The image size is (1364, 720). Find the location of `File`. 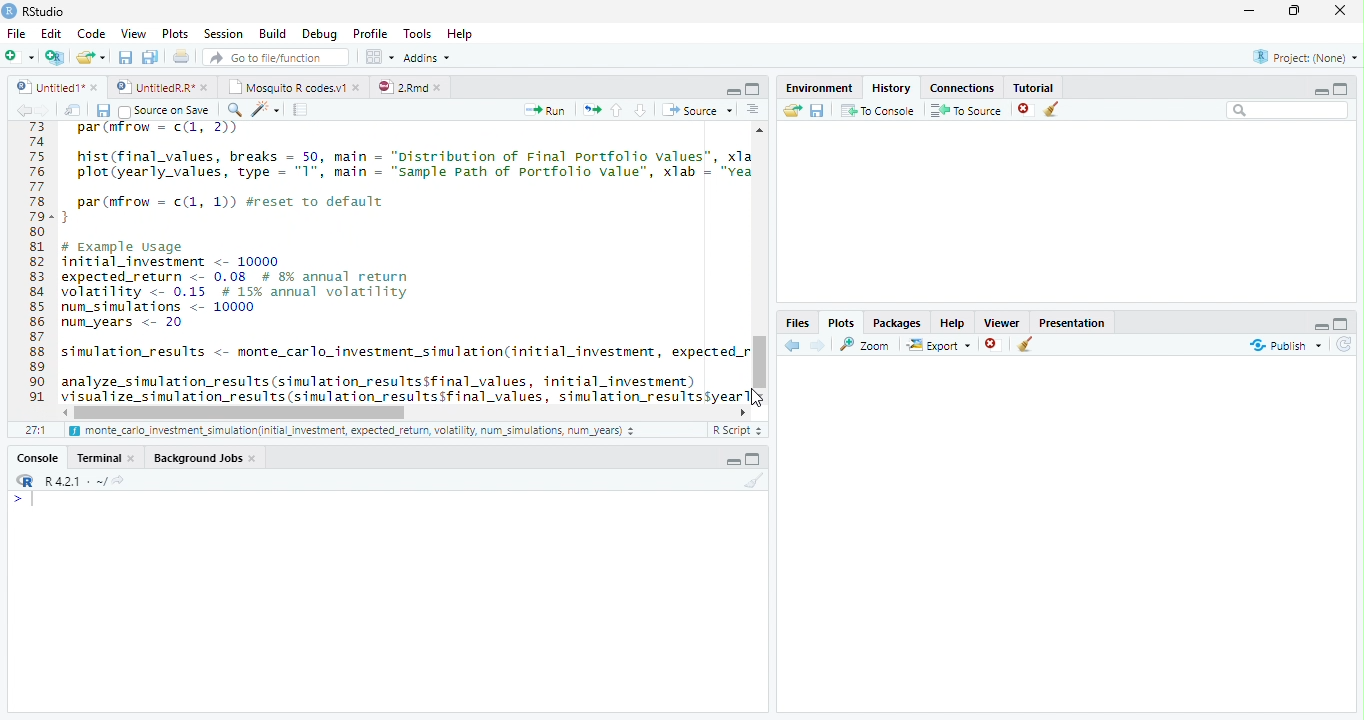

File is located at coordinates (15, 33).